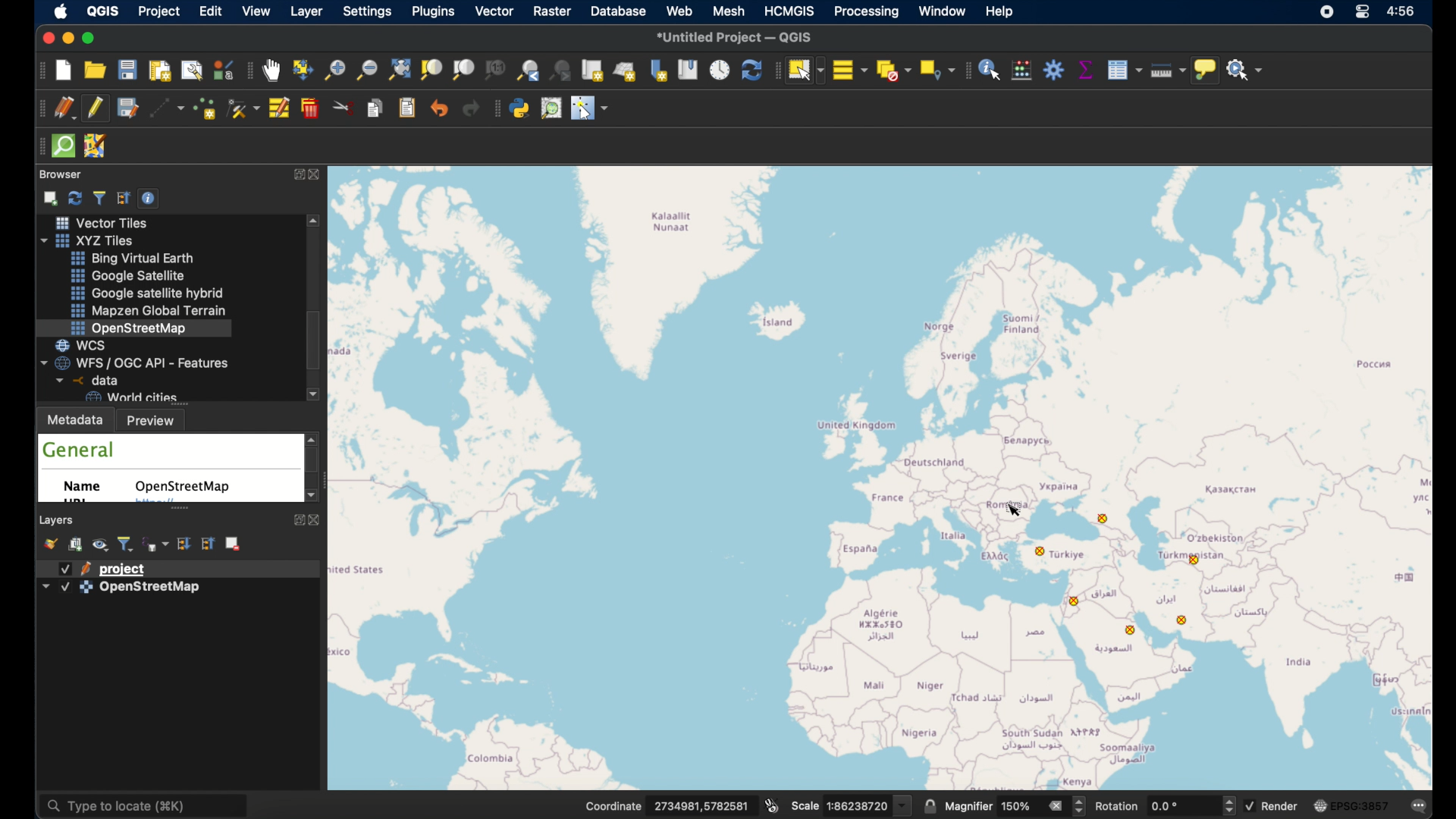  I want to click on messages, so click(1419, 804).